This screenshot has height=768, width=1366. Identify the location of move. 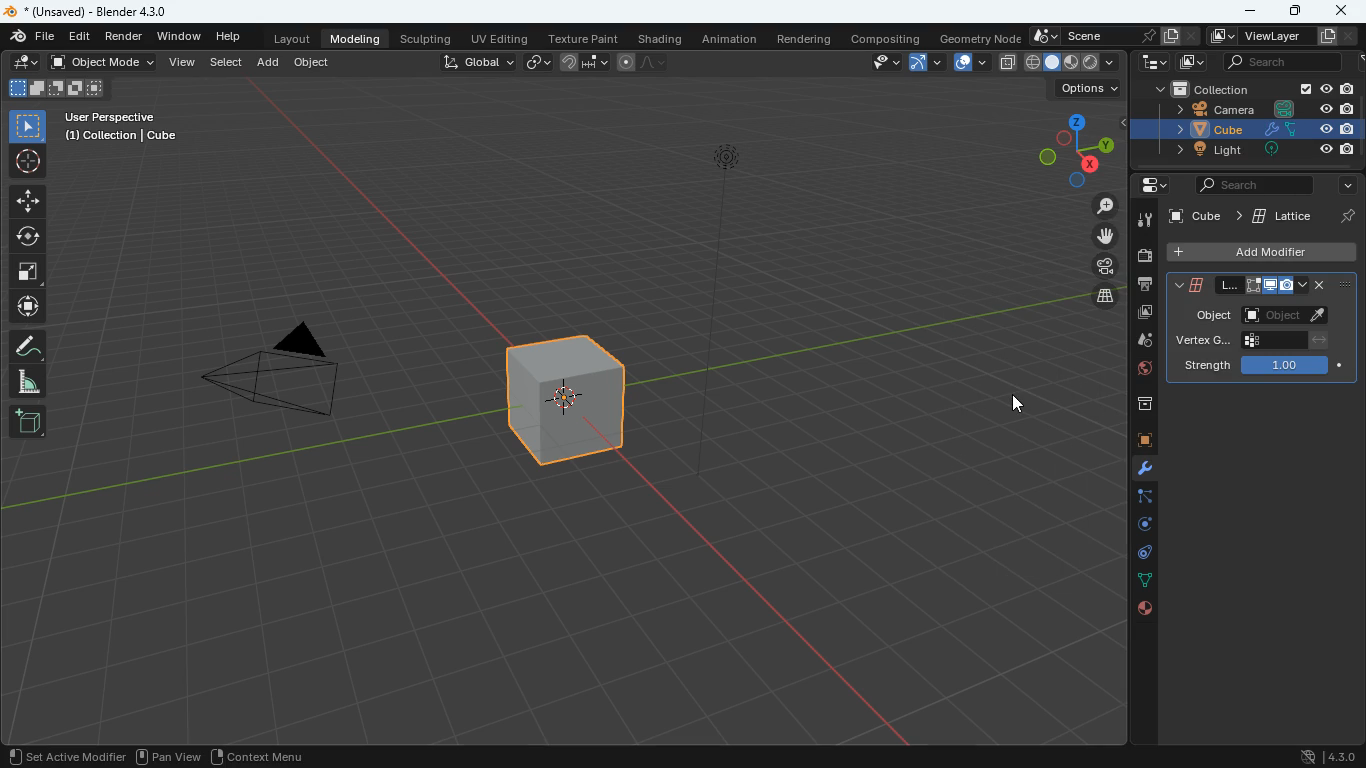
(1110, 235).